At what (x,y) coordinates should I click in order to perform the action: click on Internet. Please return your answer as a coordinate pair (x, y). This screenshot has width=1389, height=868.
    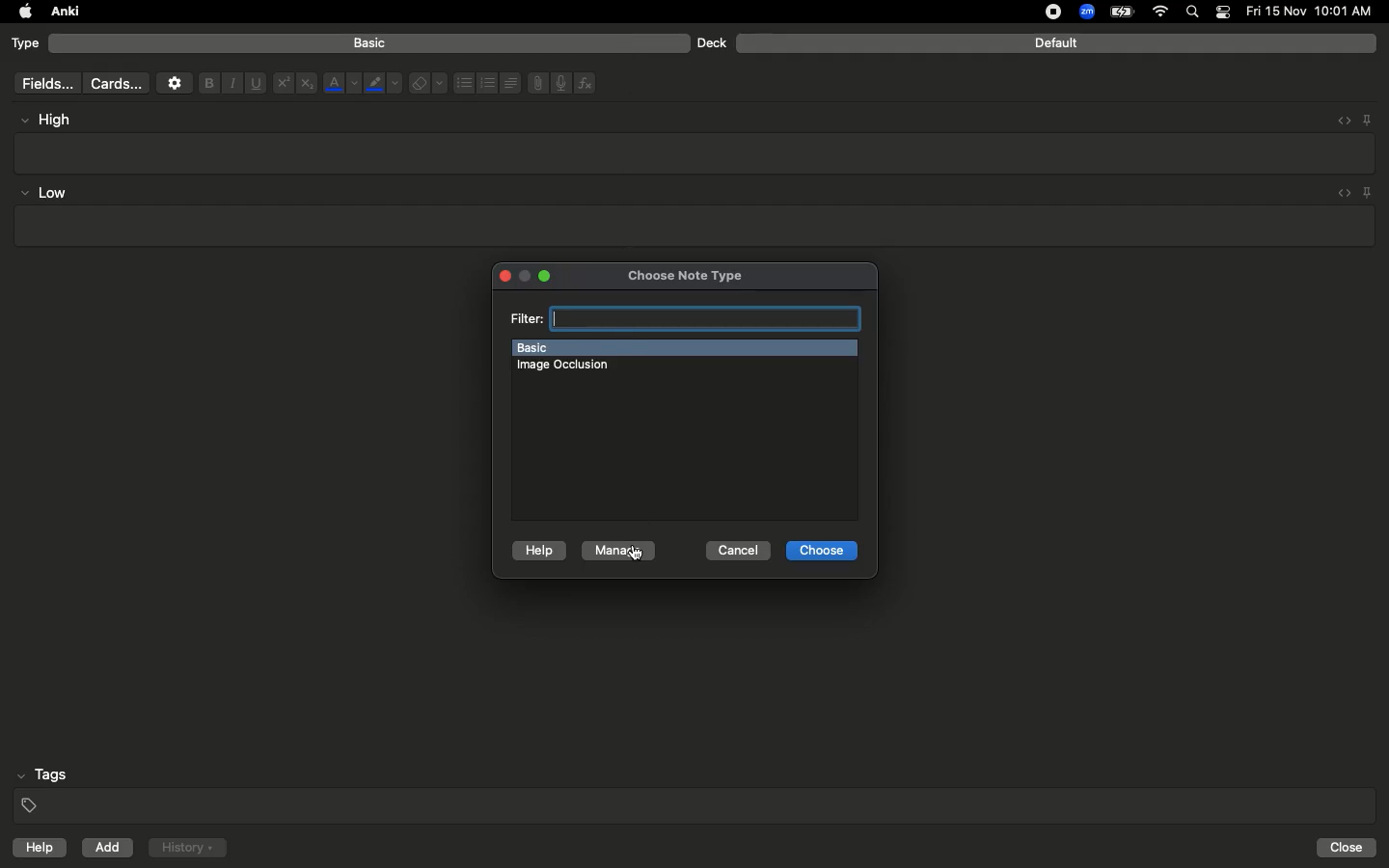
    Looking at the image, I should click on (1162, 13).